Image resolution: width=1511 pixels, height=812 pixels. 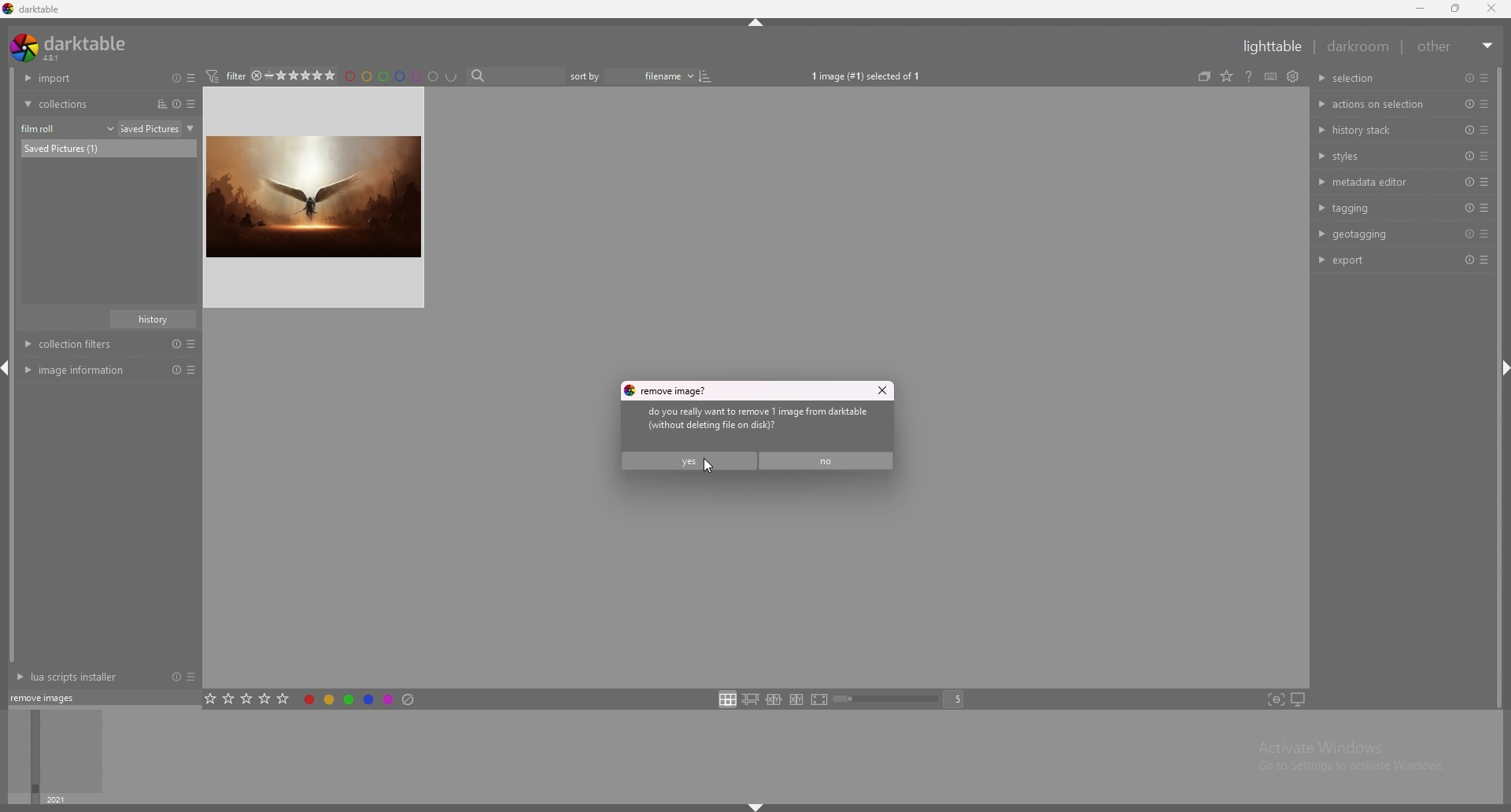 What do you see at coordinates (1246, 75) in the screenshot?
I see `change type of overlays` at bounding box center [1246, 75].